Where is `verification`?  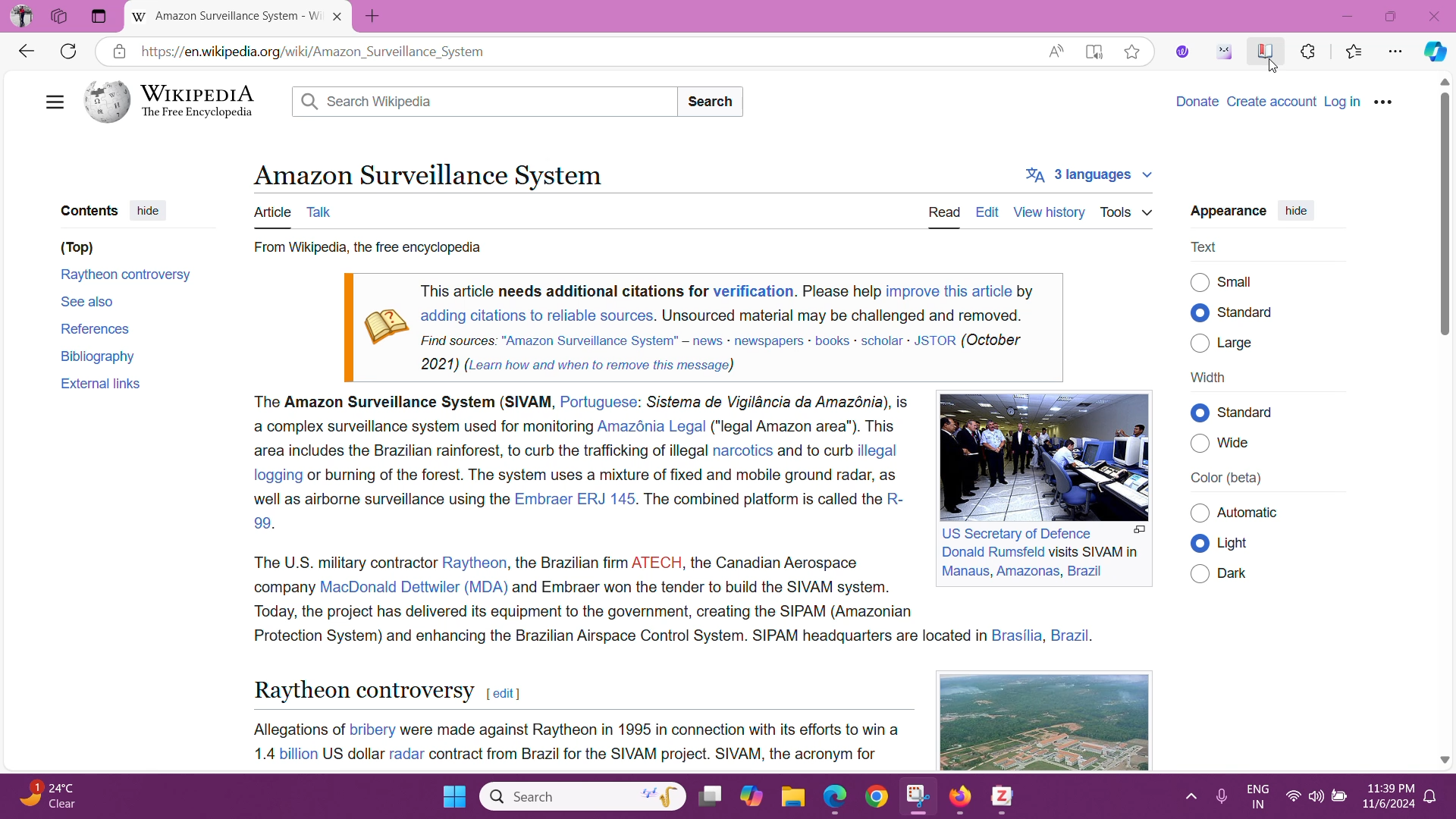
verification is located at coordinates (753, 290).